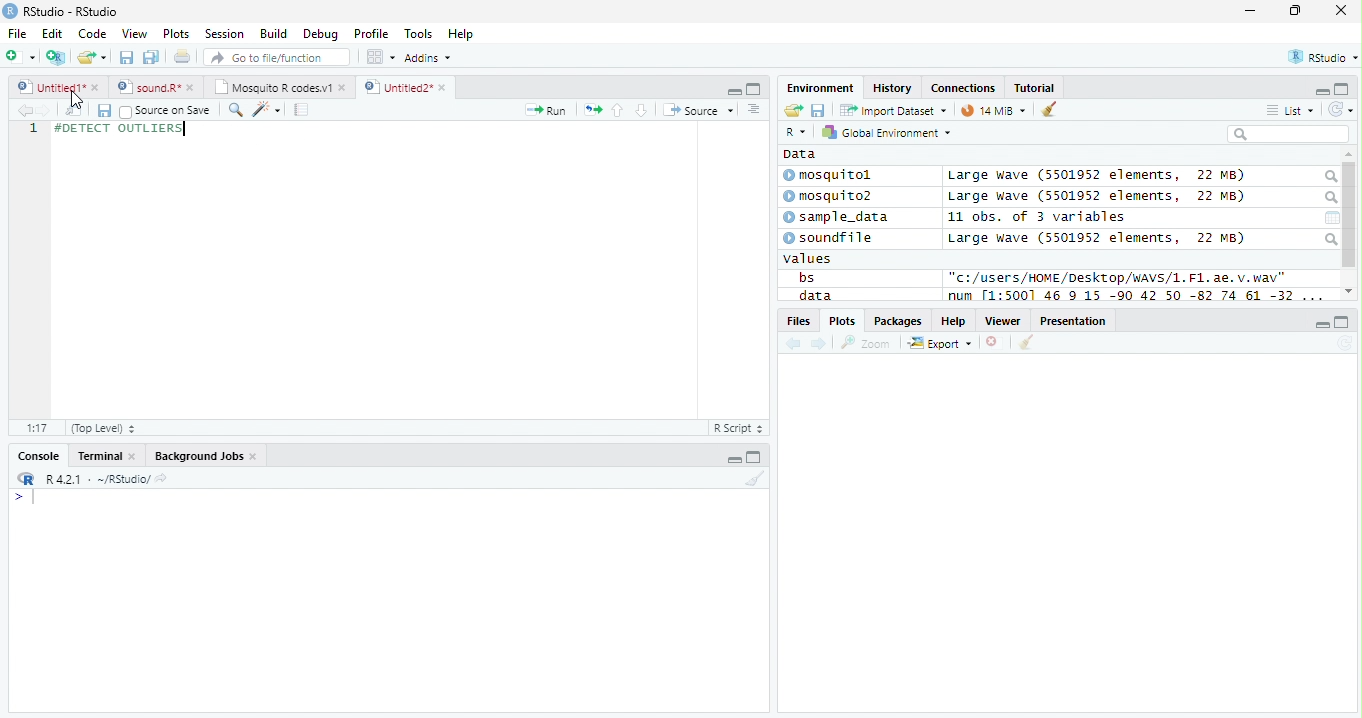 Image resolution: width=1362 pixels, height=718 pixels. What do you see at coordinates (821, 88) in the screenshot?
I see `Environment` at bounding box center [821, 88].